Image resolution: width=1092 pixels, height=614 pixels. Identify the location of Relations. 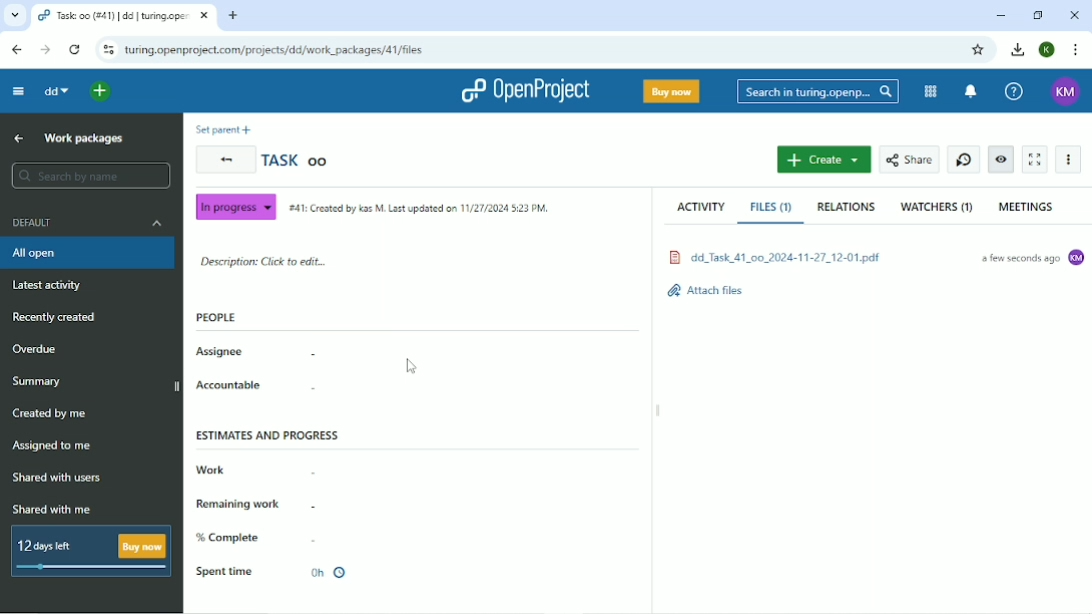
(845, 207).